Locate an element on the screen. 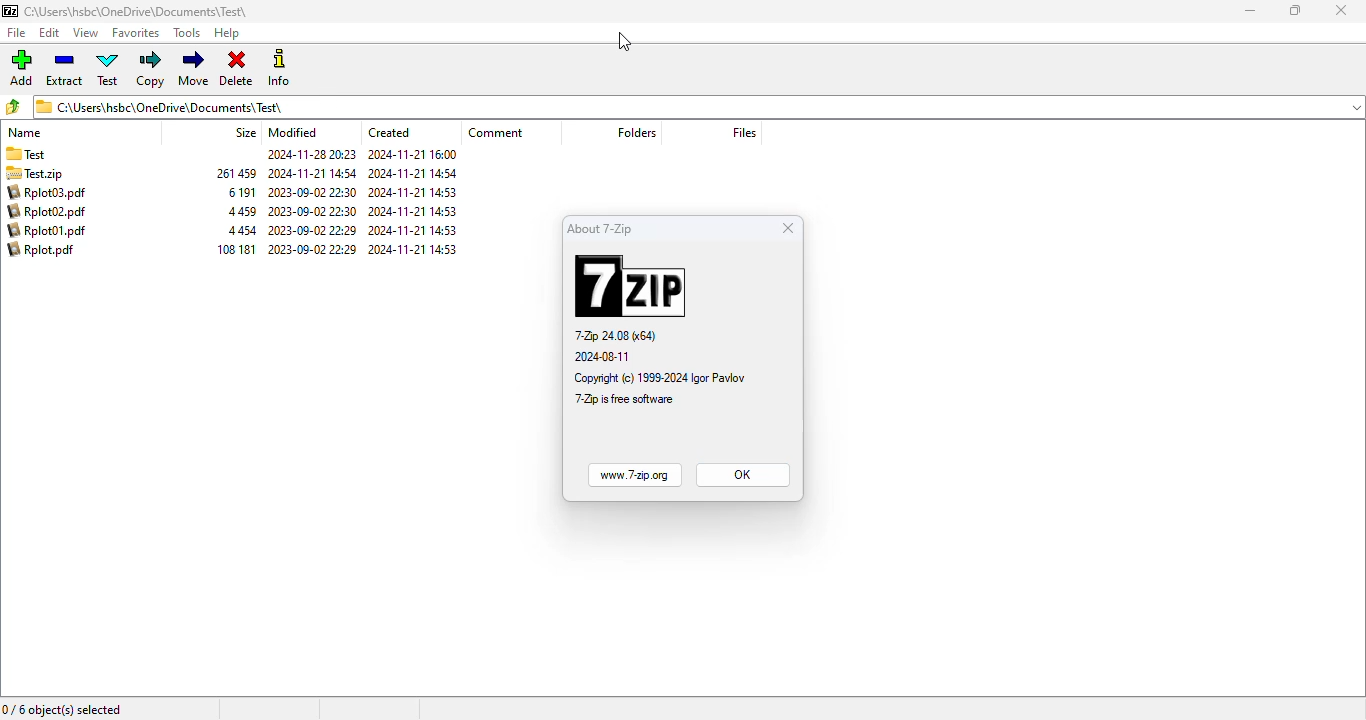  about 7-zip is located at coordinates (600, 228).